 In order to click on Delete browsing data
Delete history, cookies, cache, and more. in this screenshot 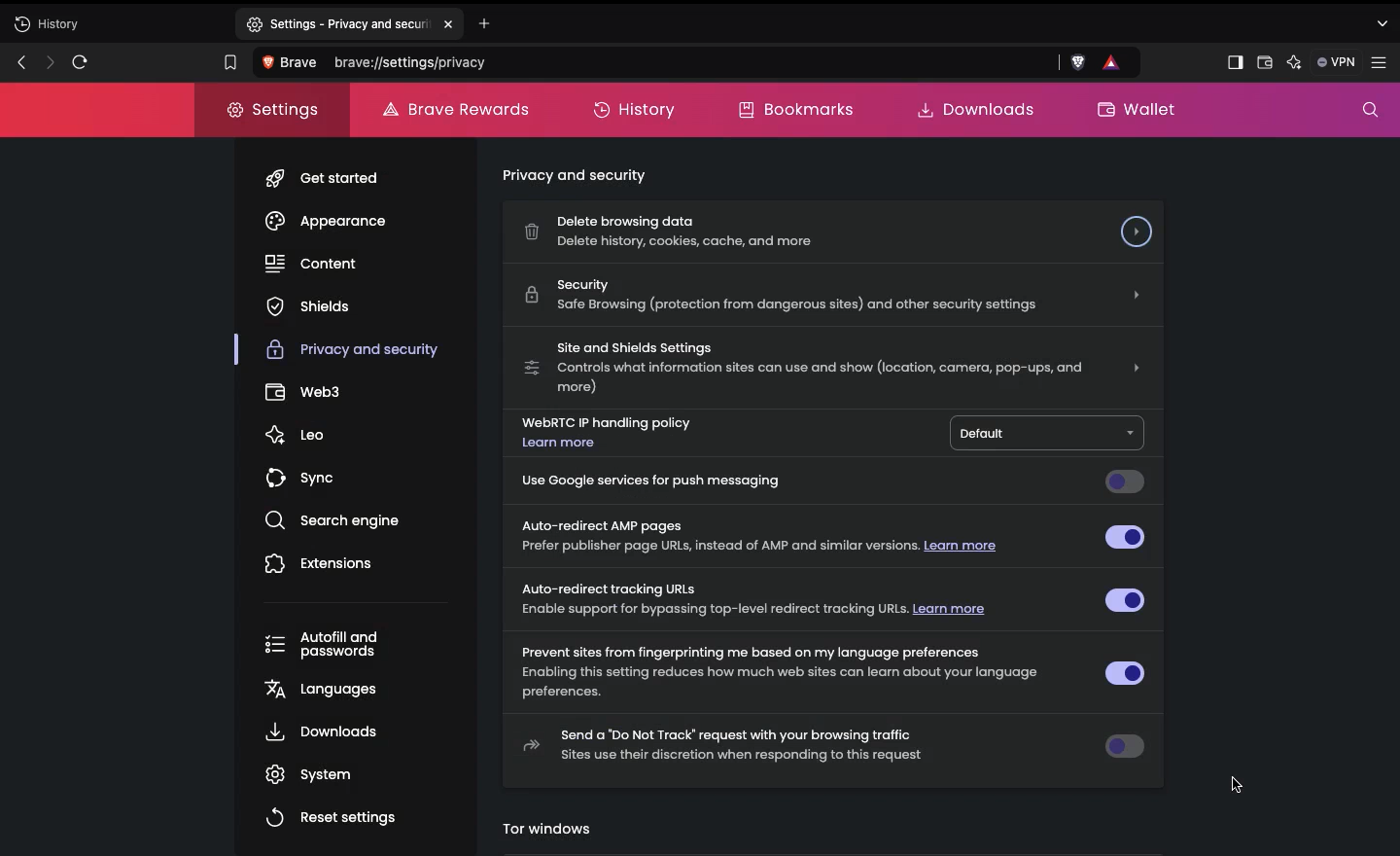, I will do `click(837, 232)`.